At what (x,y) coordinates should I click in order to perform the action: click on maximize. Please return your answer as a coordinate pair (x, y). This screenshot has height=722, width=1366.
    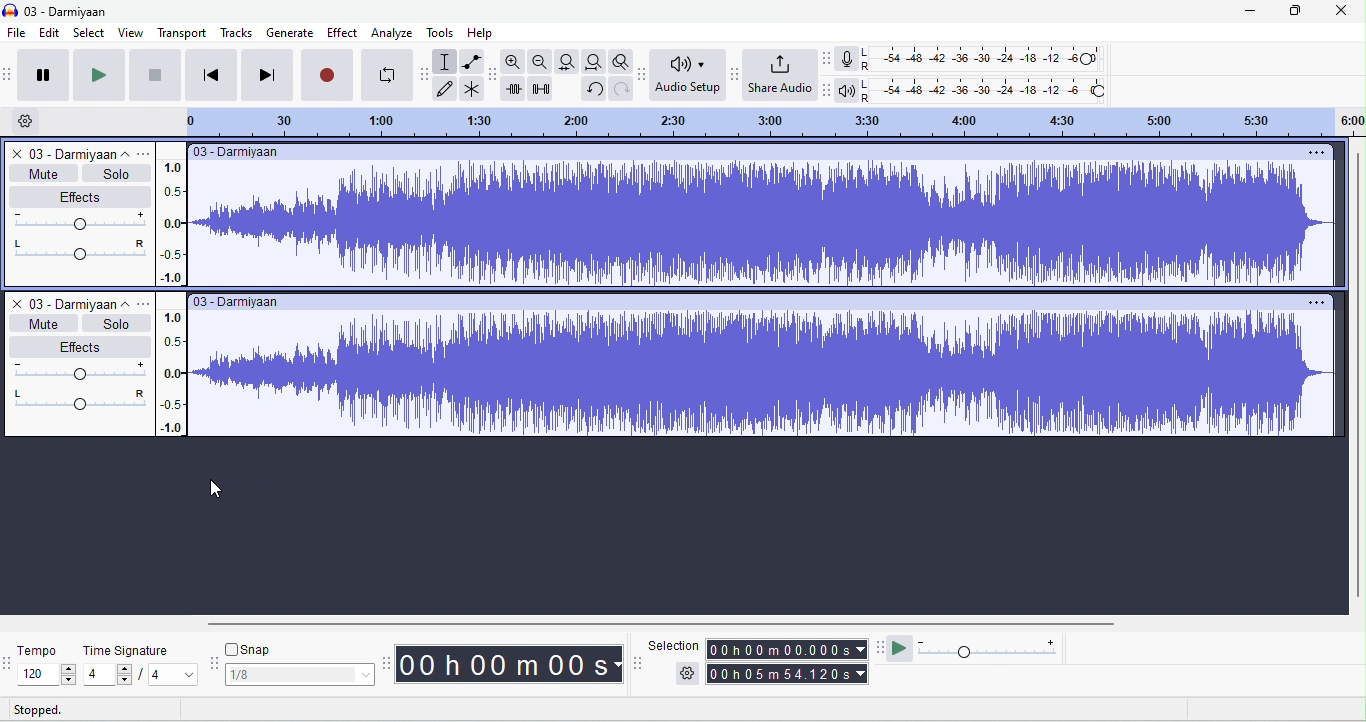
    Looking at the image, I should click on (1292, 11).